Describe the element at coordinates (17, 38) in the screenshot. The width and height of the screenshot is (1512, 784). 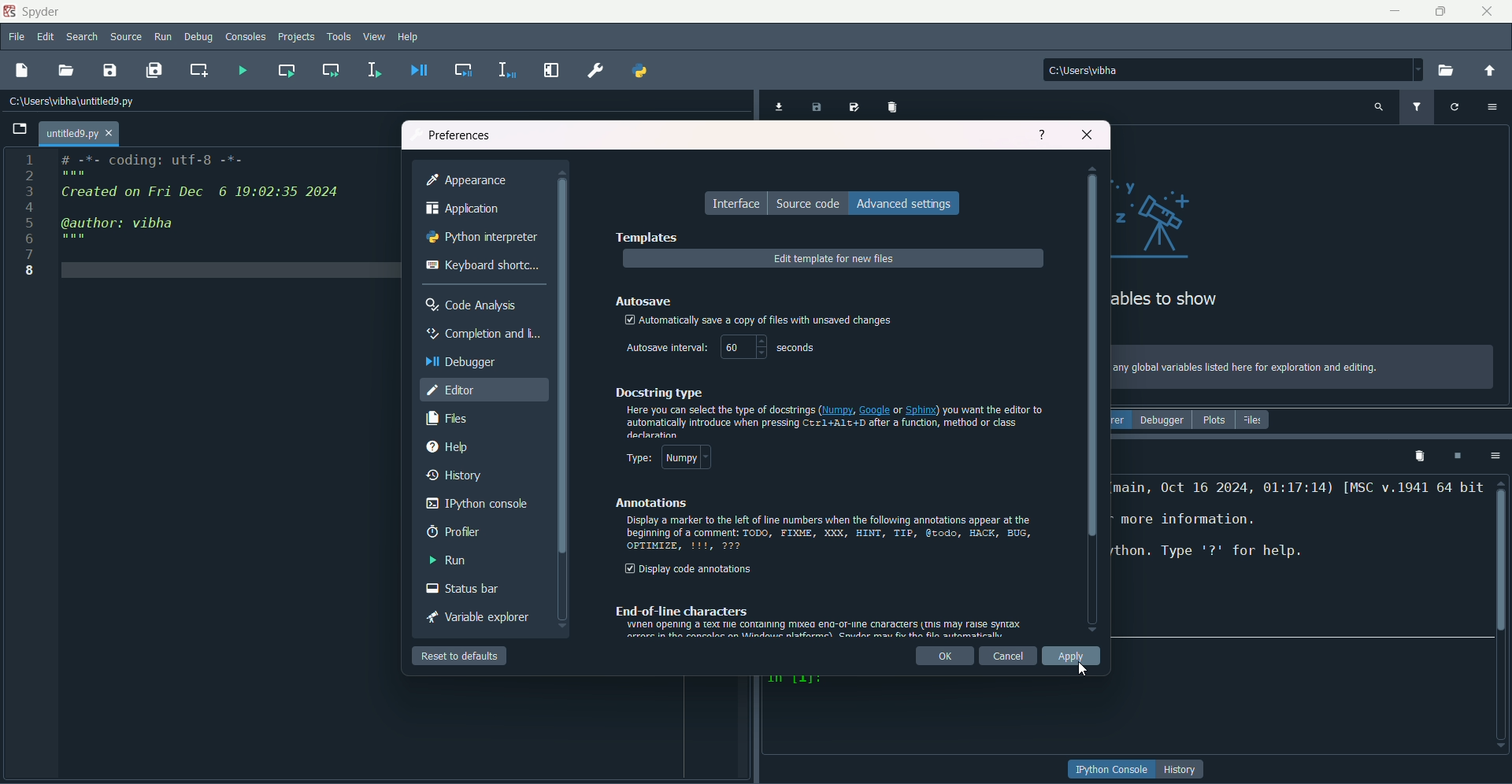
I see `file` at that location.